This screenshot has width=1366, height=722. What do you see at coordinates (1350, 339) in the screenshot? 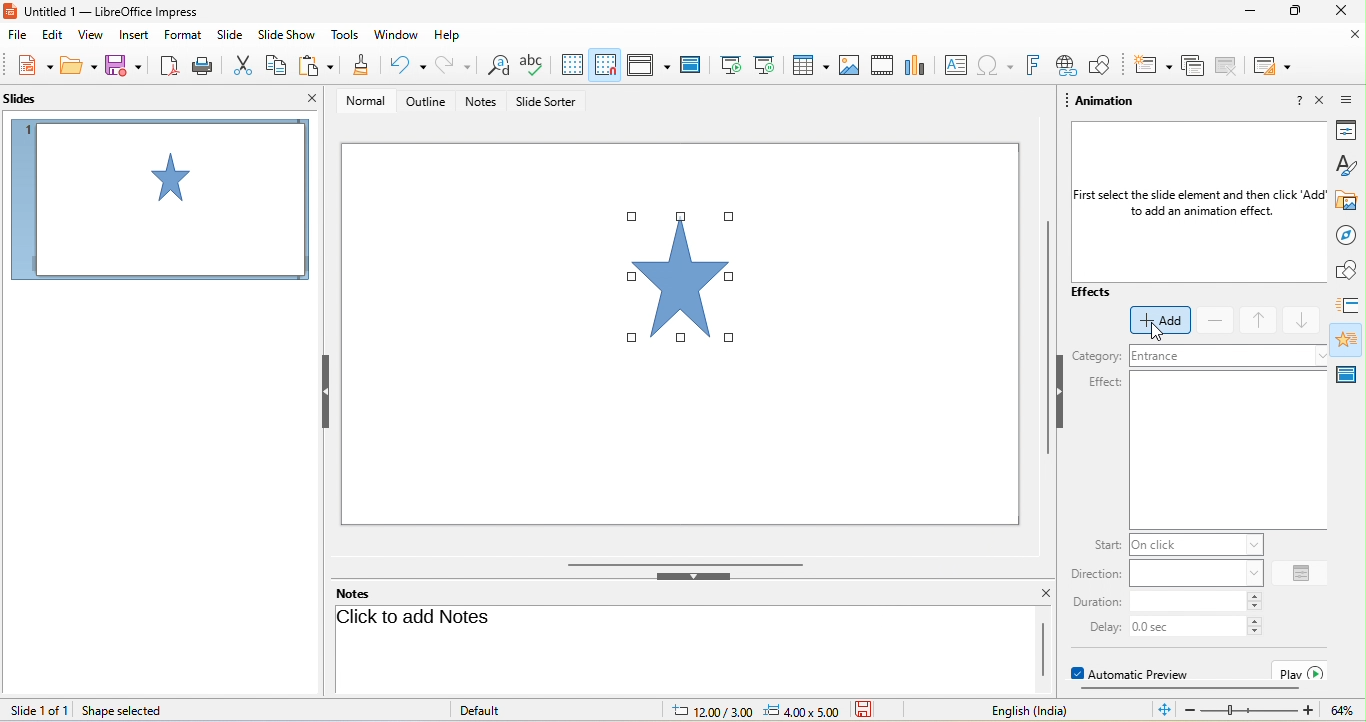
I see `animation` at bounding box center [1350, 339].